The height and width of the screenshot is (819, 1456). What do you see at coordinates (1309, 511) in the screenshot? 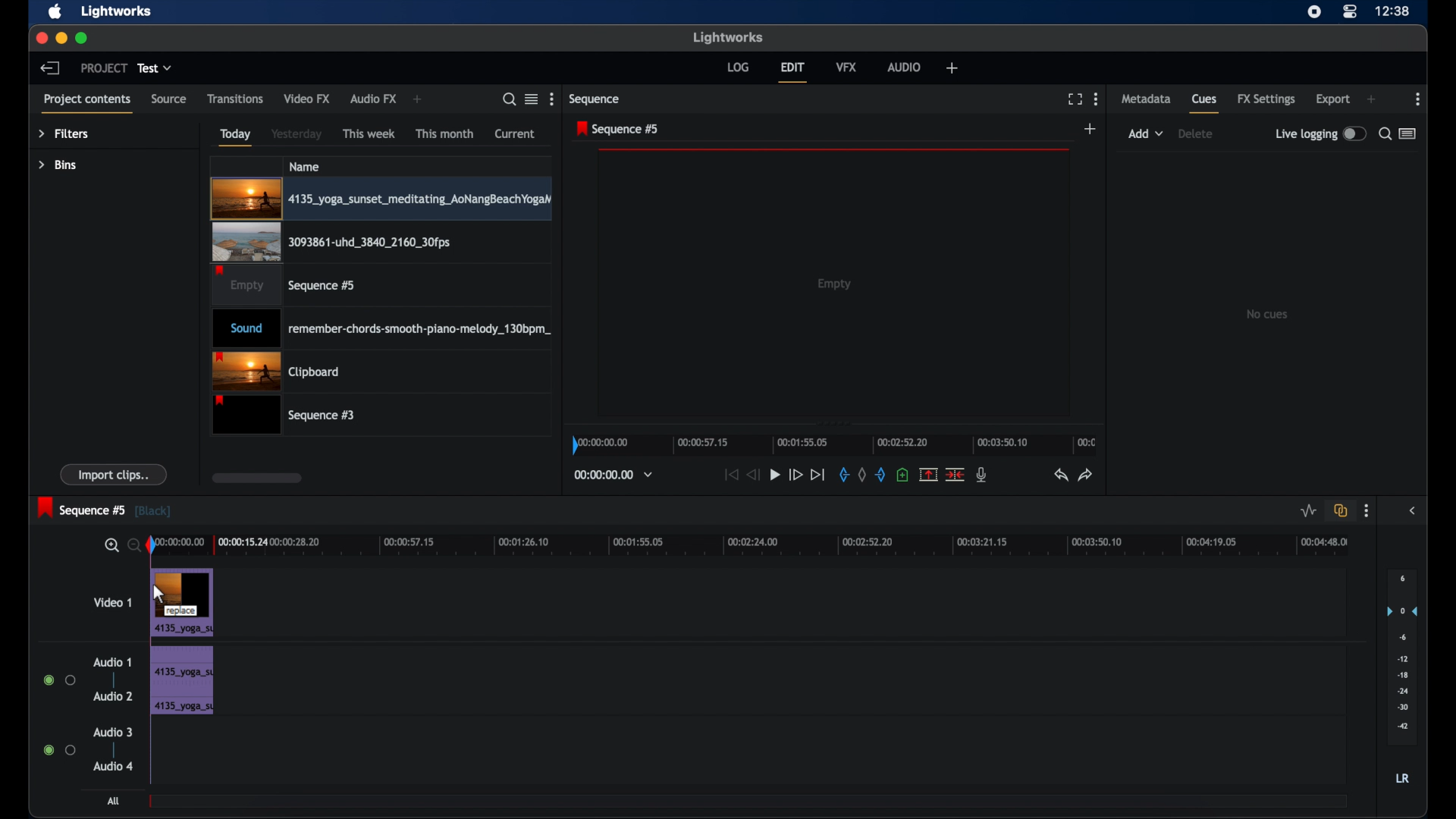
I see `toggle audio level editing` at bounding box center [1309, 511].